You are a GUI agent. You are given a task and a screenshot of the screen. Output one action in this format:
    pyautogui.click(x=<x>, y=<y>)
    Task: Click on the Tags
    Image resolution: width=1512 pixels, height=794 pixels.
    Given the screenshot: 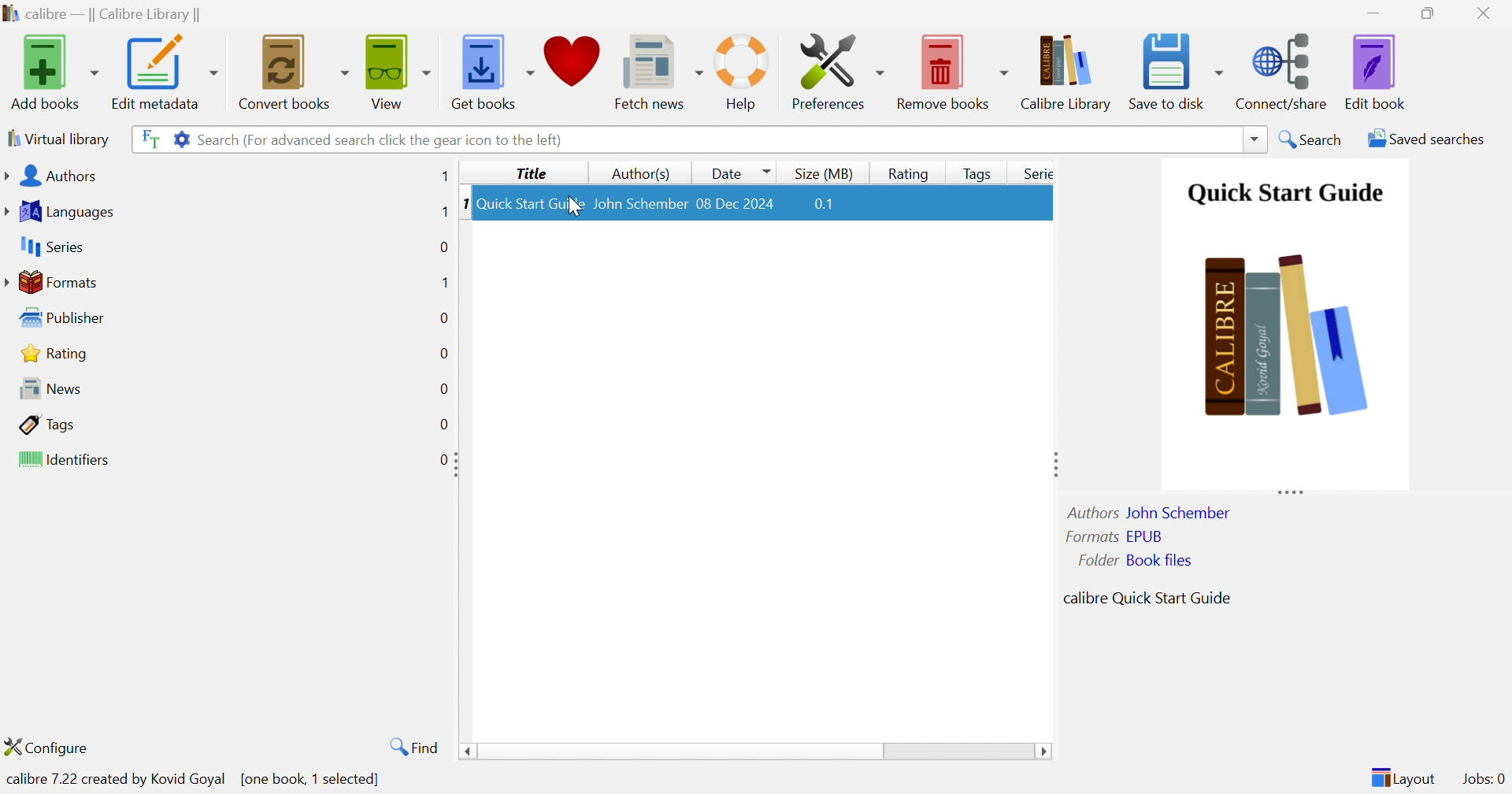 What is the action you would take?
    pyautogui.click(x=46, y=422)
    